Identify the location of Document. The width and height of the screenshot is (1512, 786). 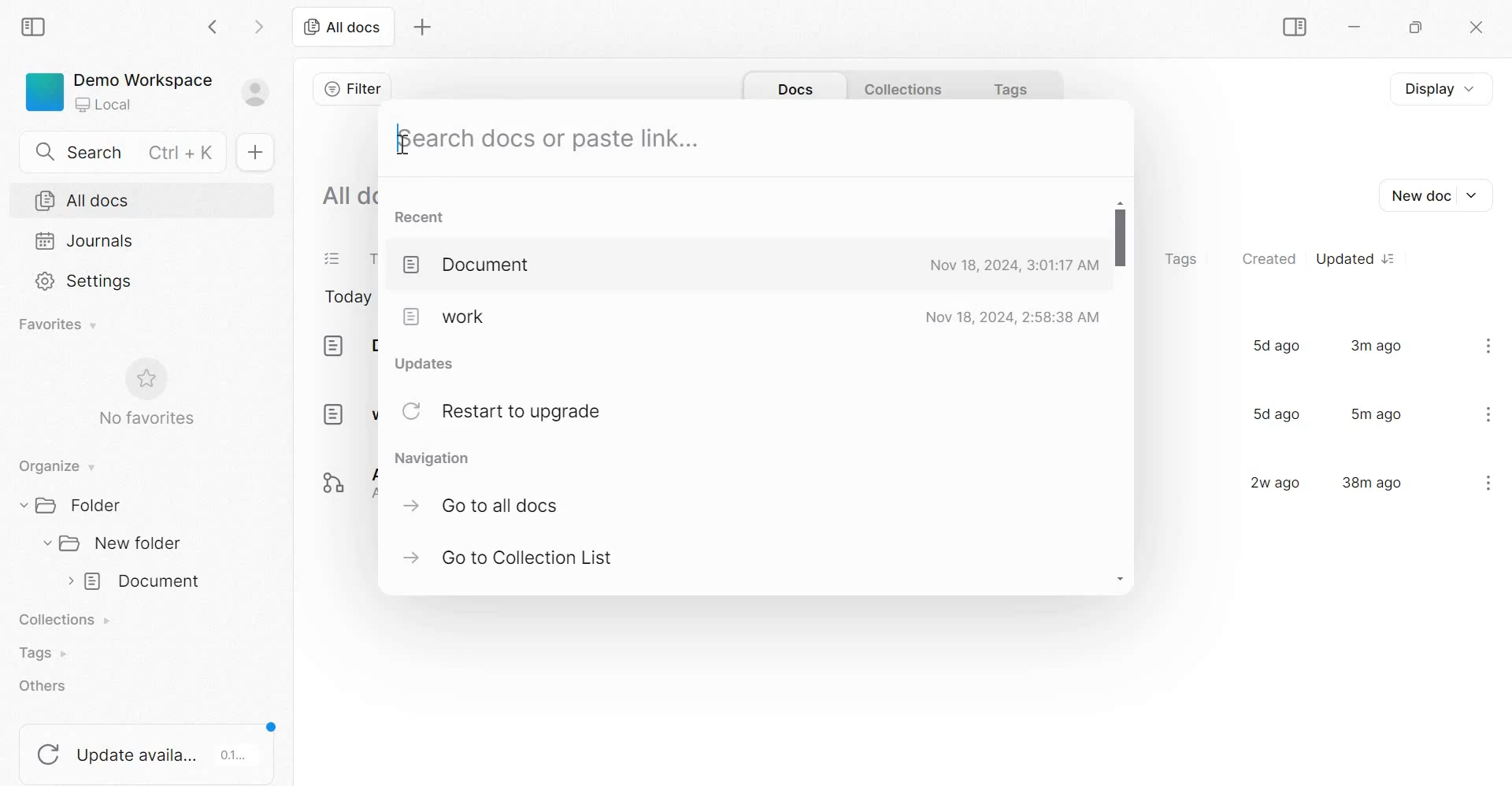
(473, 267).